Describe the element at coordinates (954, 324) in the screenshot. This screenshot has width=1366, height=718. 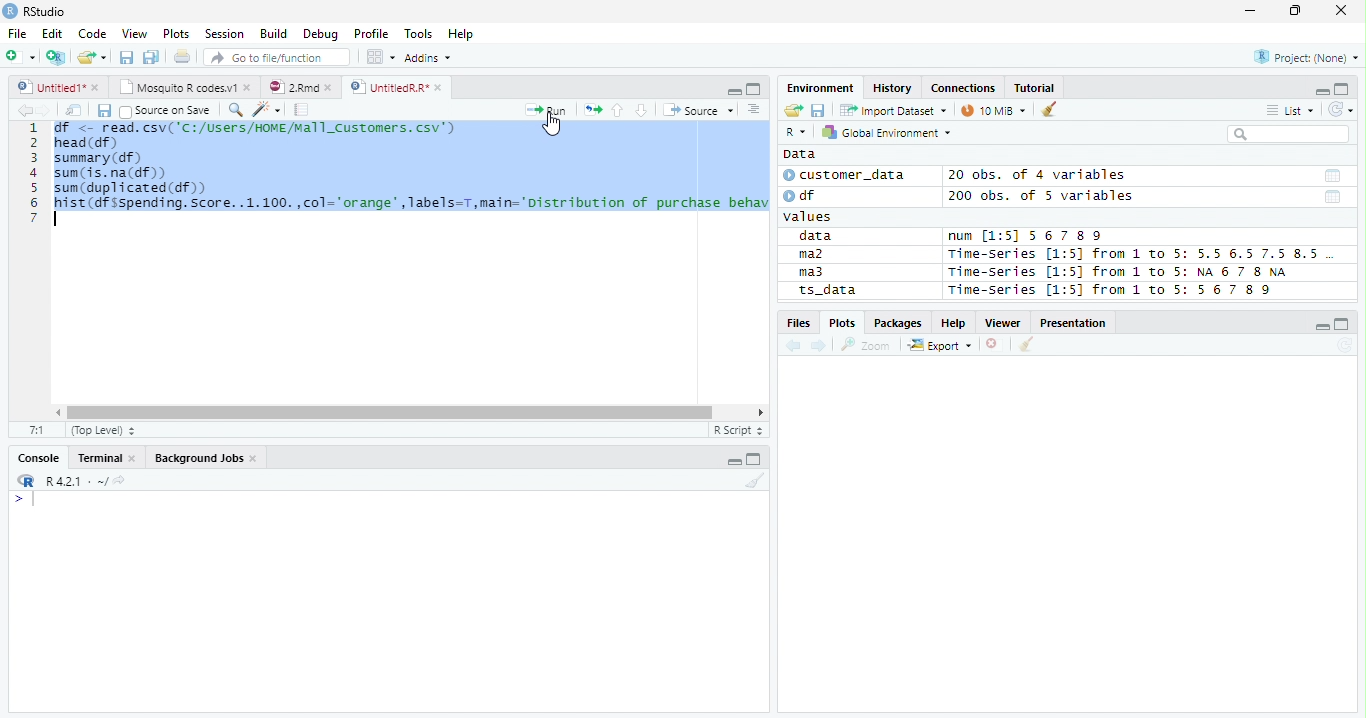
I see `Help` at that location.